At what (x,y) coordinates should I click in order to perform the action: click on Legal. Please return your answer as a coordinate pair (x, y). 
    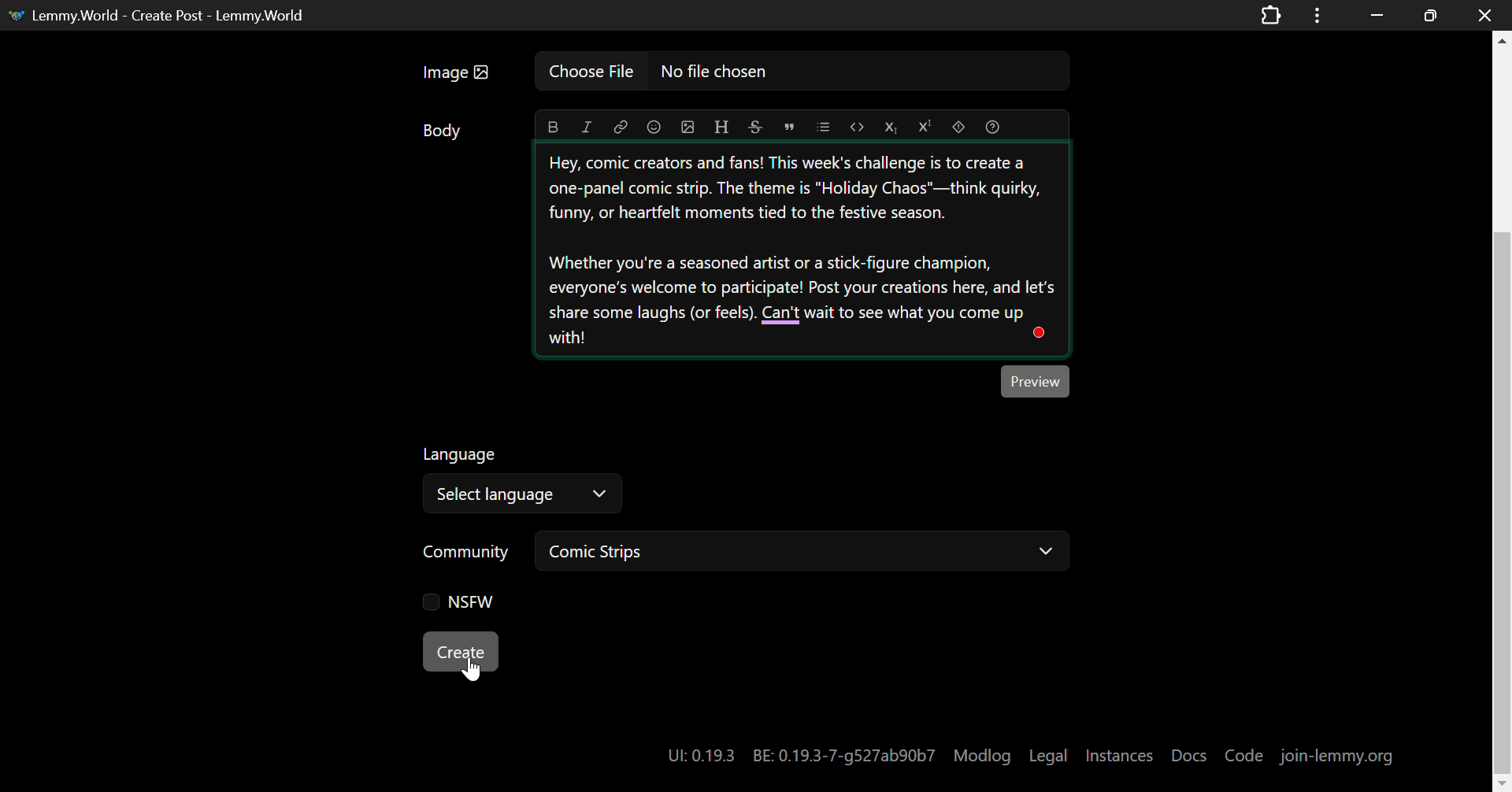
    Looking at the image, I should click on (1049, 757).